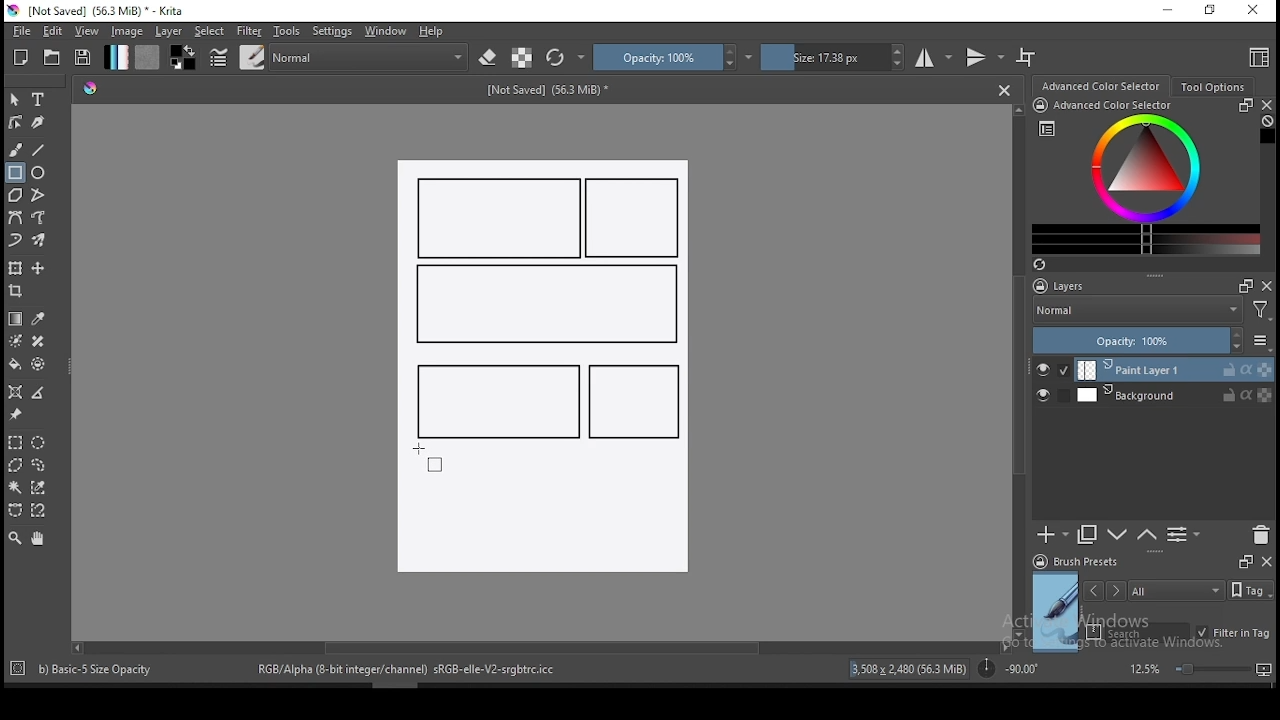 The height and width of the screenshot is (720, 1280). I want to click on filter in tag, so click(1233, 634).